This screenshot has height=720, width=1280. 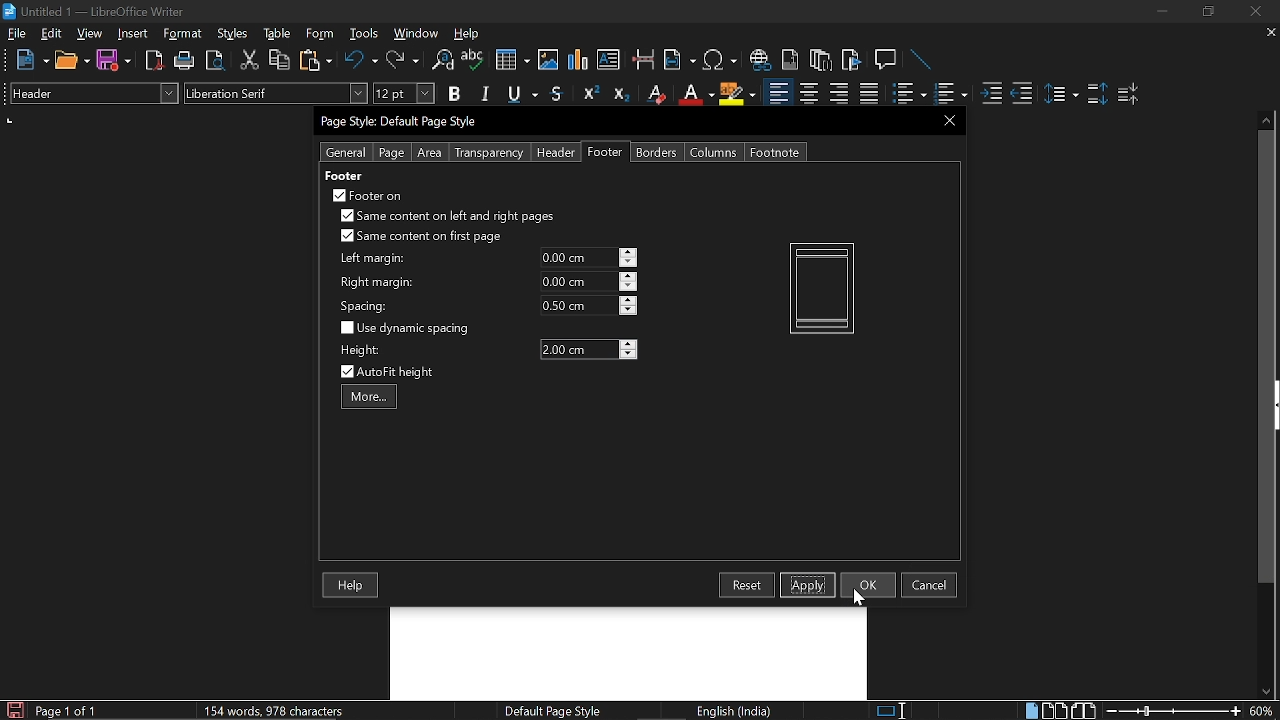 I want to click on Redo, so click(x=402, y=60).